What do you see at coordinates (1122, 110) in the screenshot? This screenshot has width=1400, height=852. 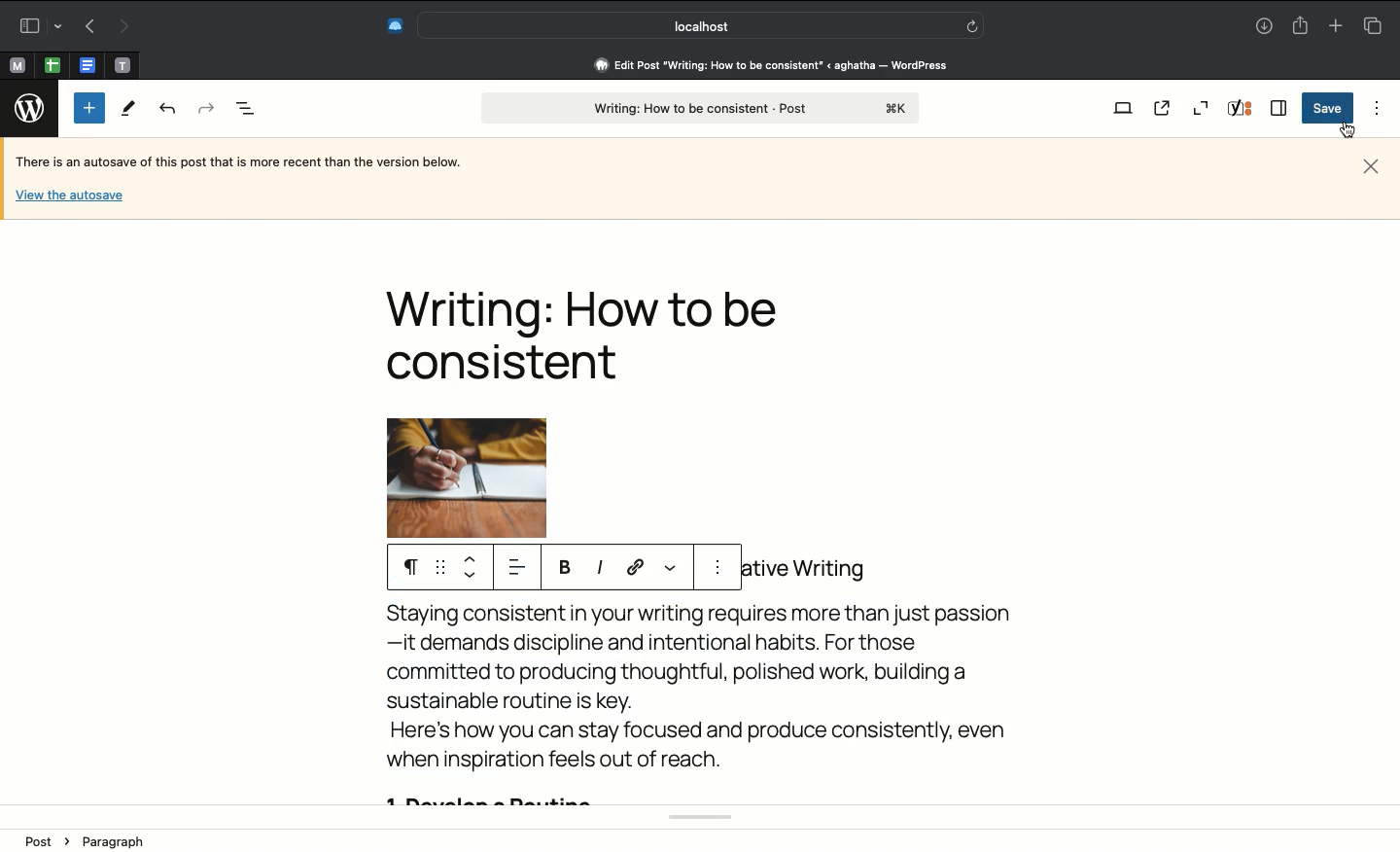 I see `View` at bounding box center [1122, 110].